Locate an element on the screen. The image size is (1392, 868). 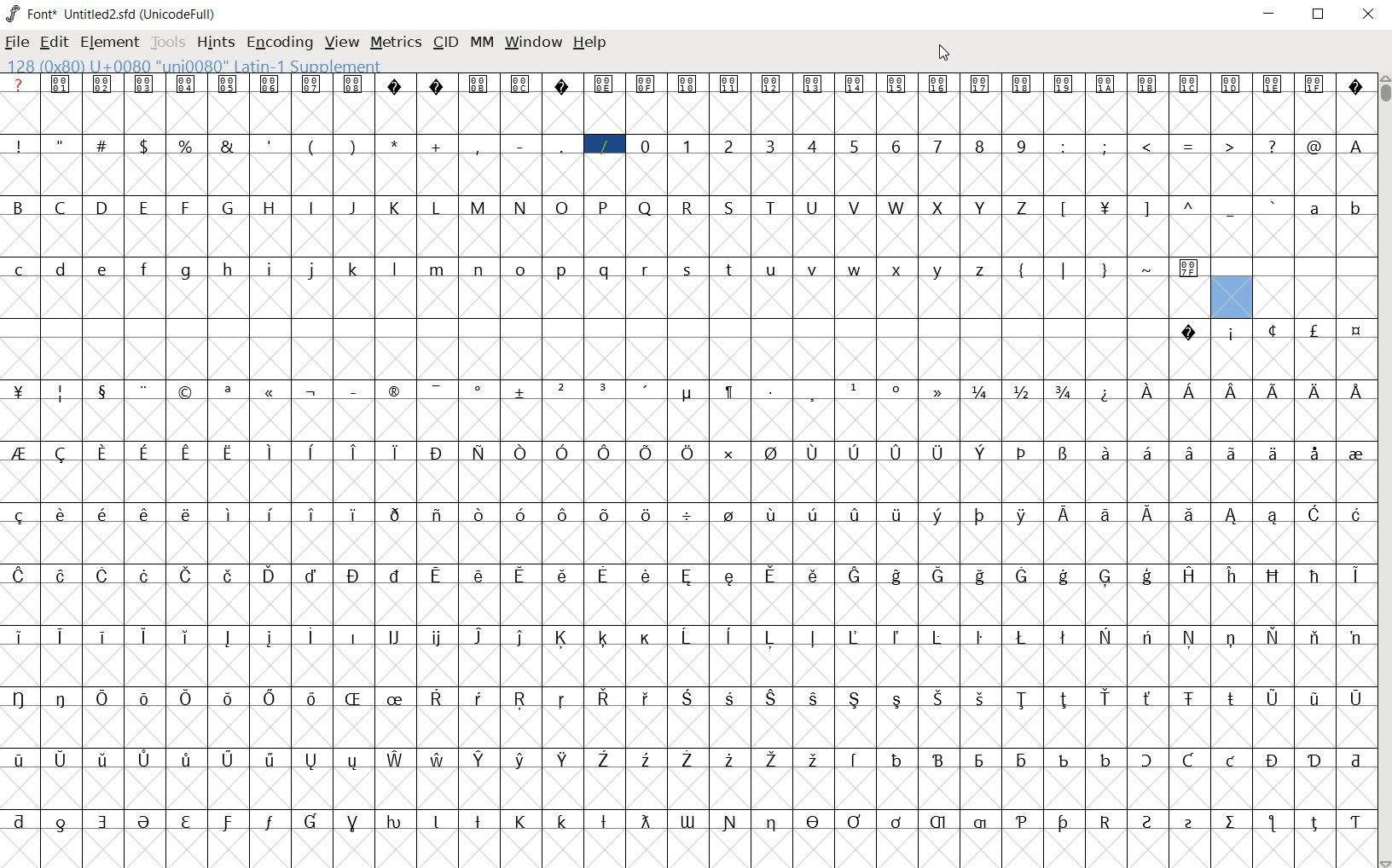
glyph is located at coordinates (603, 84).